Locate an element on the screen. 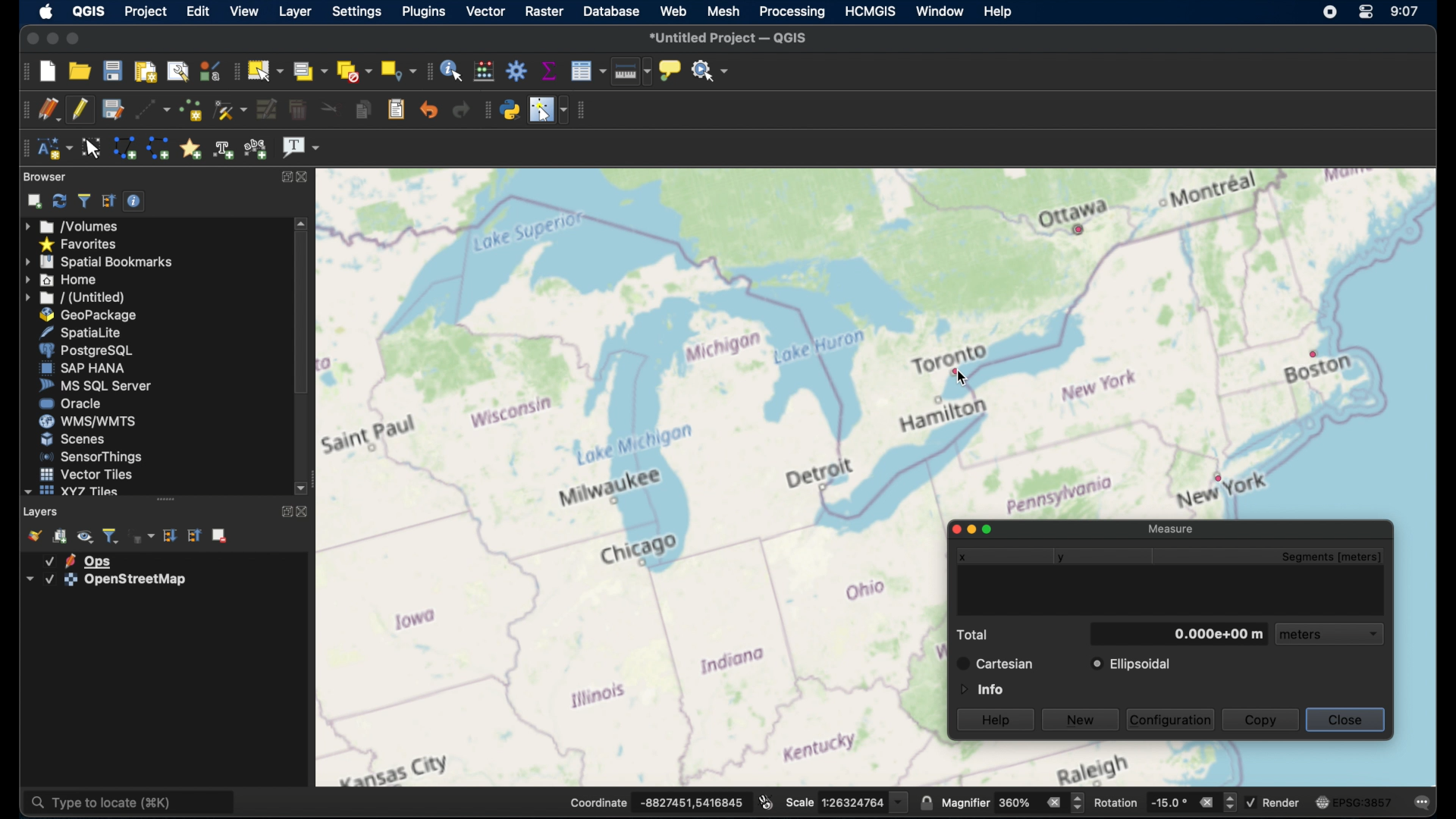  web is located at coordinates (673, 12).